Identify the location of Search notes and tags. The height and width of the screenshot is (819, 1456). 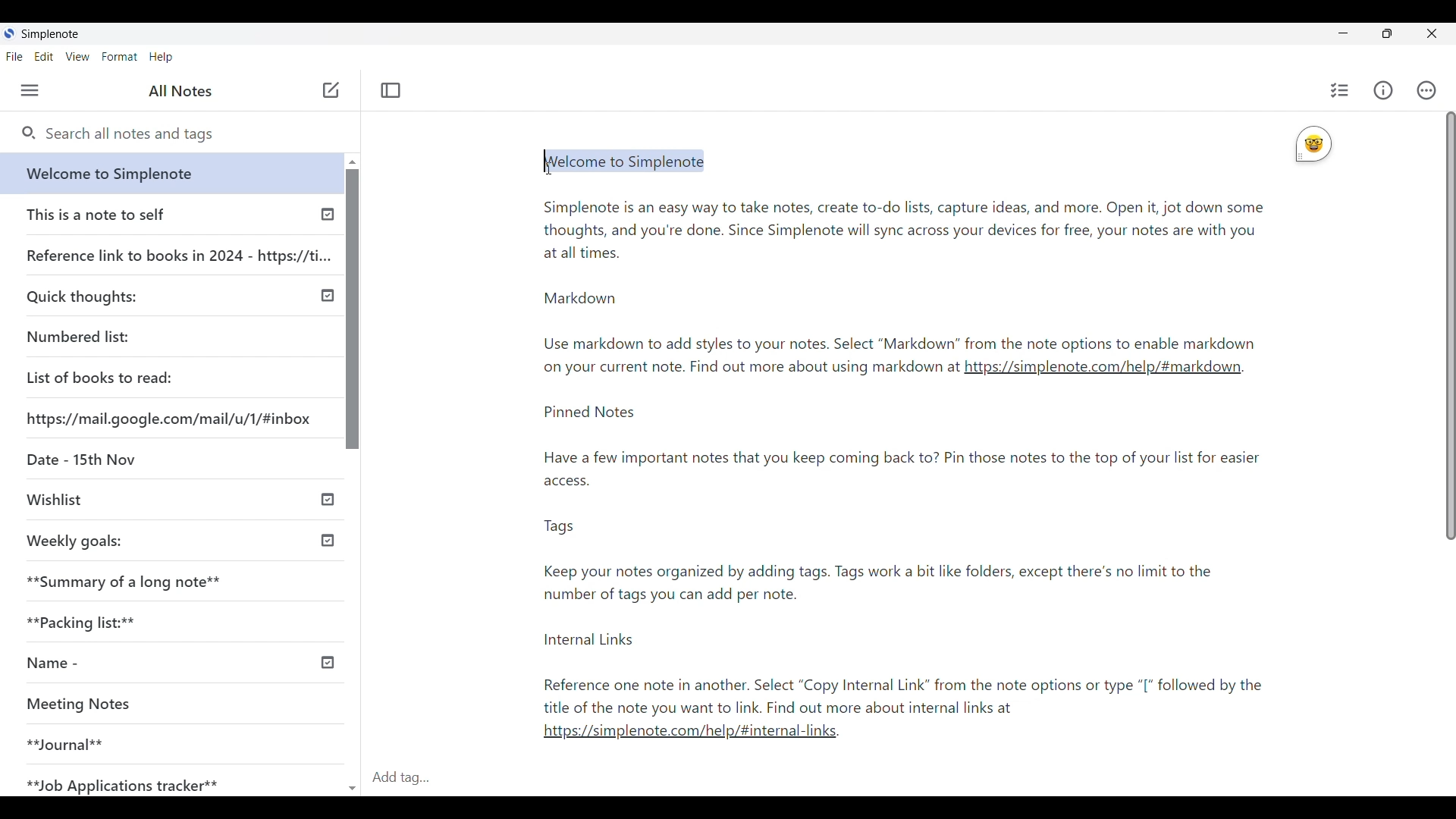
(190, 135).